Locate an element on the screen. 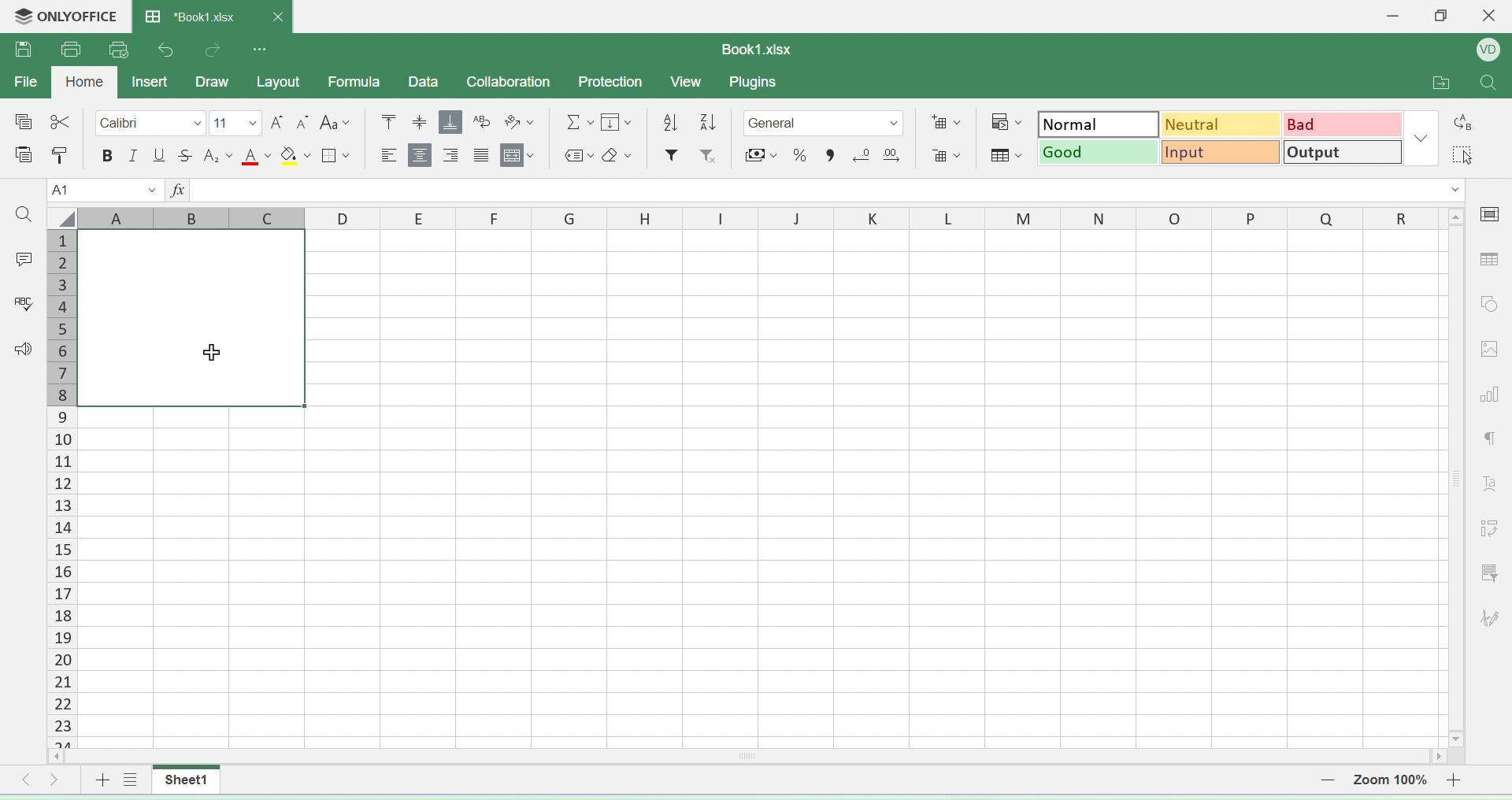  add cells is located at coordinates (945, 122).